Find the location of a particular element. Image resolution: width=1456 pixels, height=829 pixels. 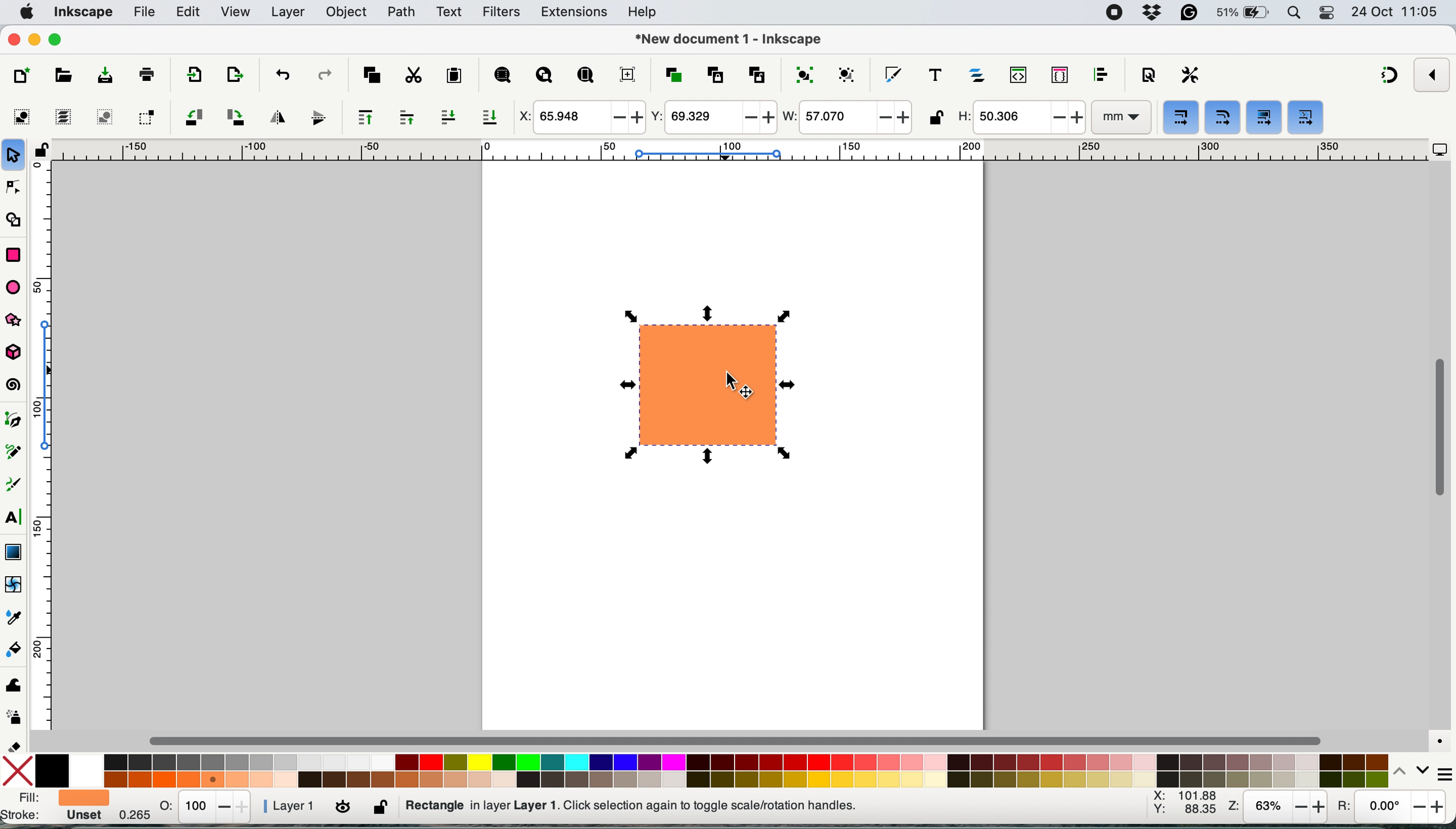

save is located at coordinates (96, 76).